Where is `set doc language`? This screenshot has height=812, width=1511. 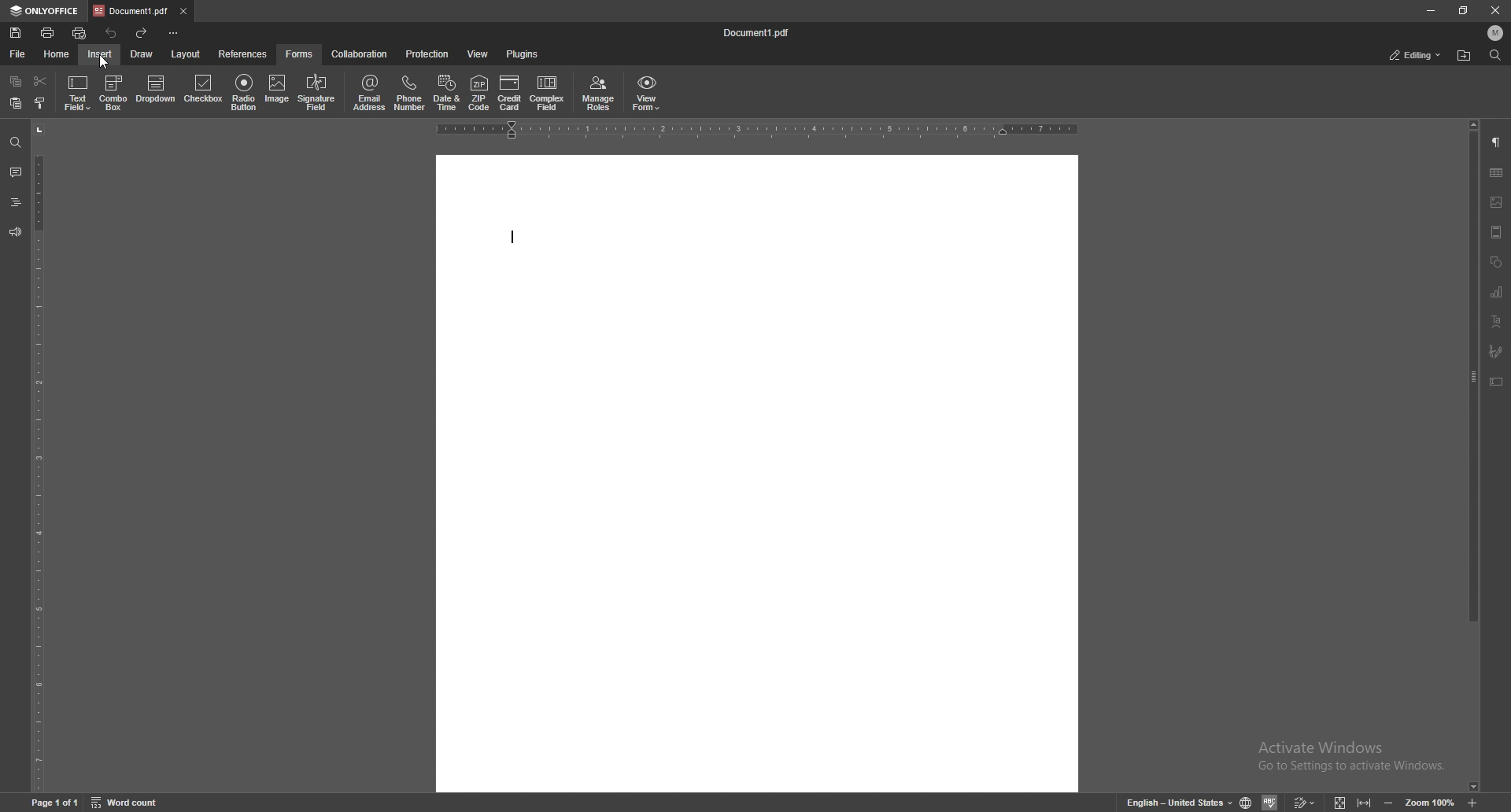 set doc language is located at coordinates (1247, 802).